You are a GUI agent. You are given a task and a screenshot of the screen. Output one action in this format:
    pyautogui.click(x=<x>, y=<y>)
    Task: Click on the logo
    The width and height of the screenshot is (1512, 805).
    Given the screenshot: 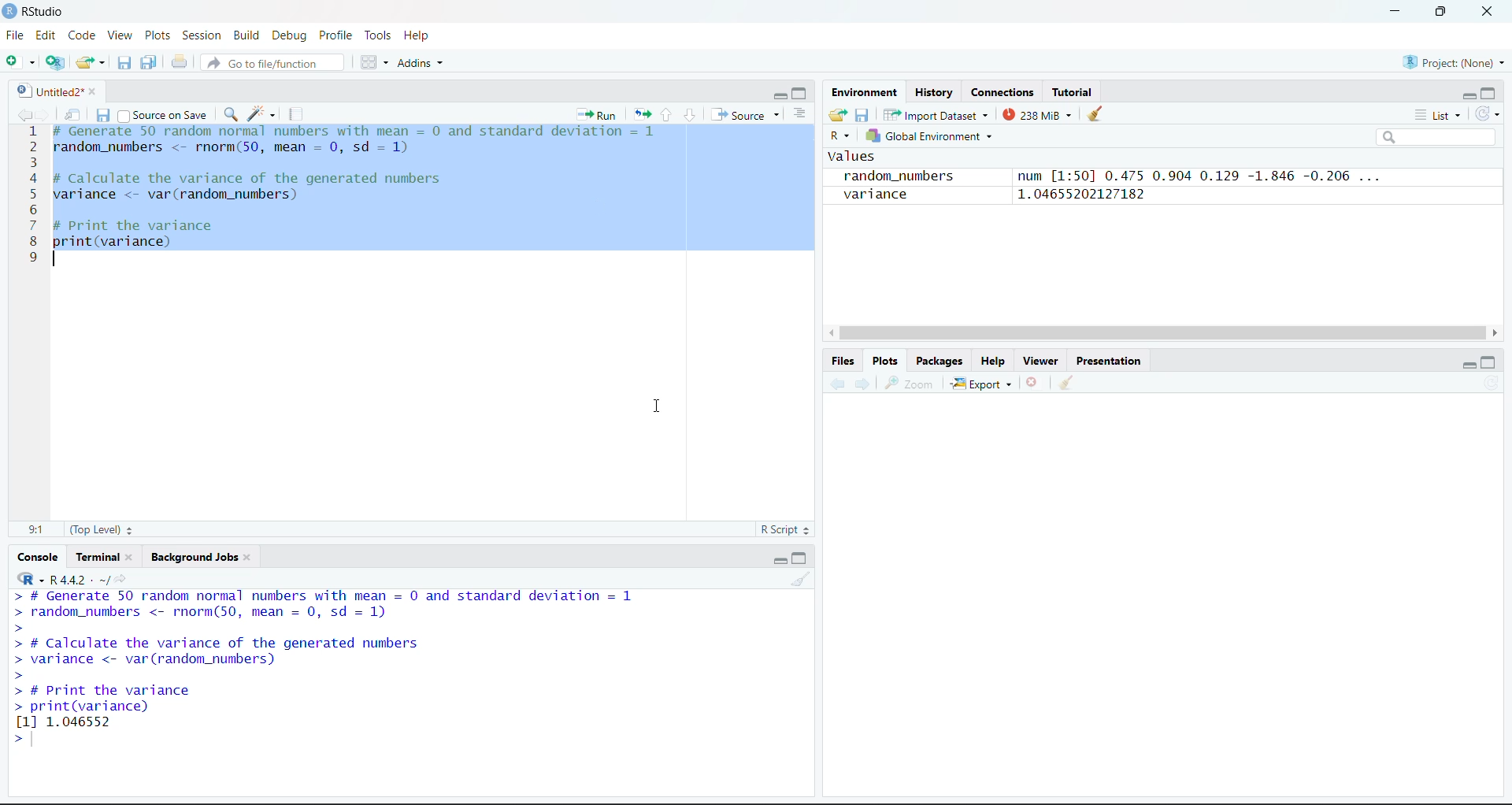 What is the action you would take?
    pyautogui.click(x=11, y=12)
    